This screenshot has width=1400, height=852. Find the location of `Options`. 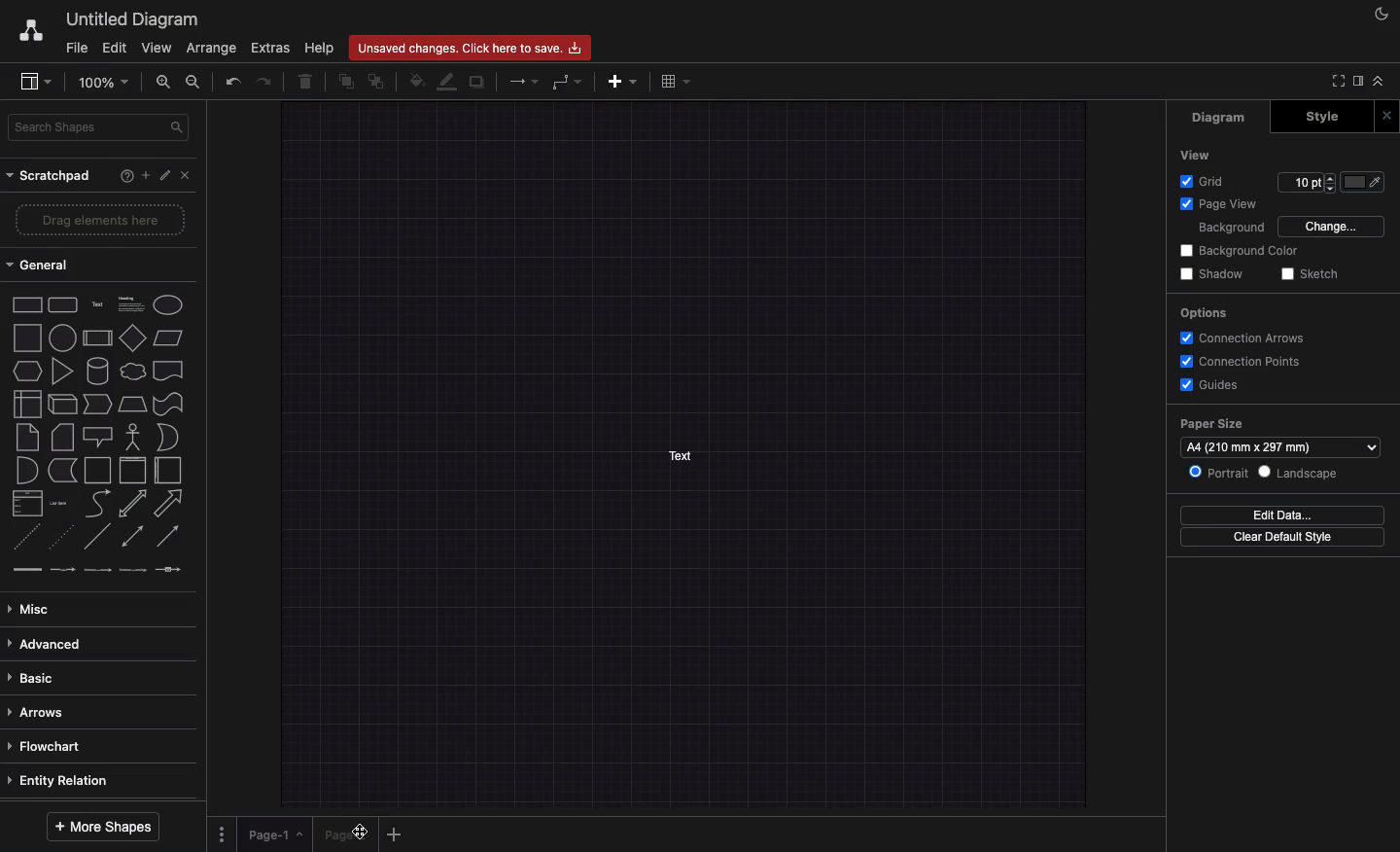

Options is located at coordinates (1204, 312).